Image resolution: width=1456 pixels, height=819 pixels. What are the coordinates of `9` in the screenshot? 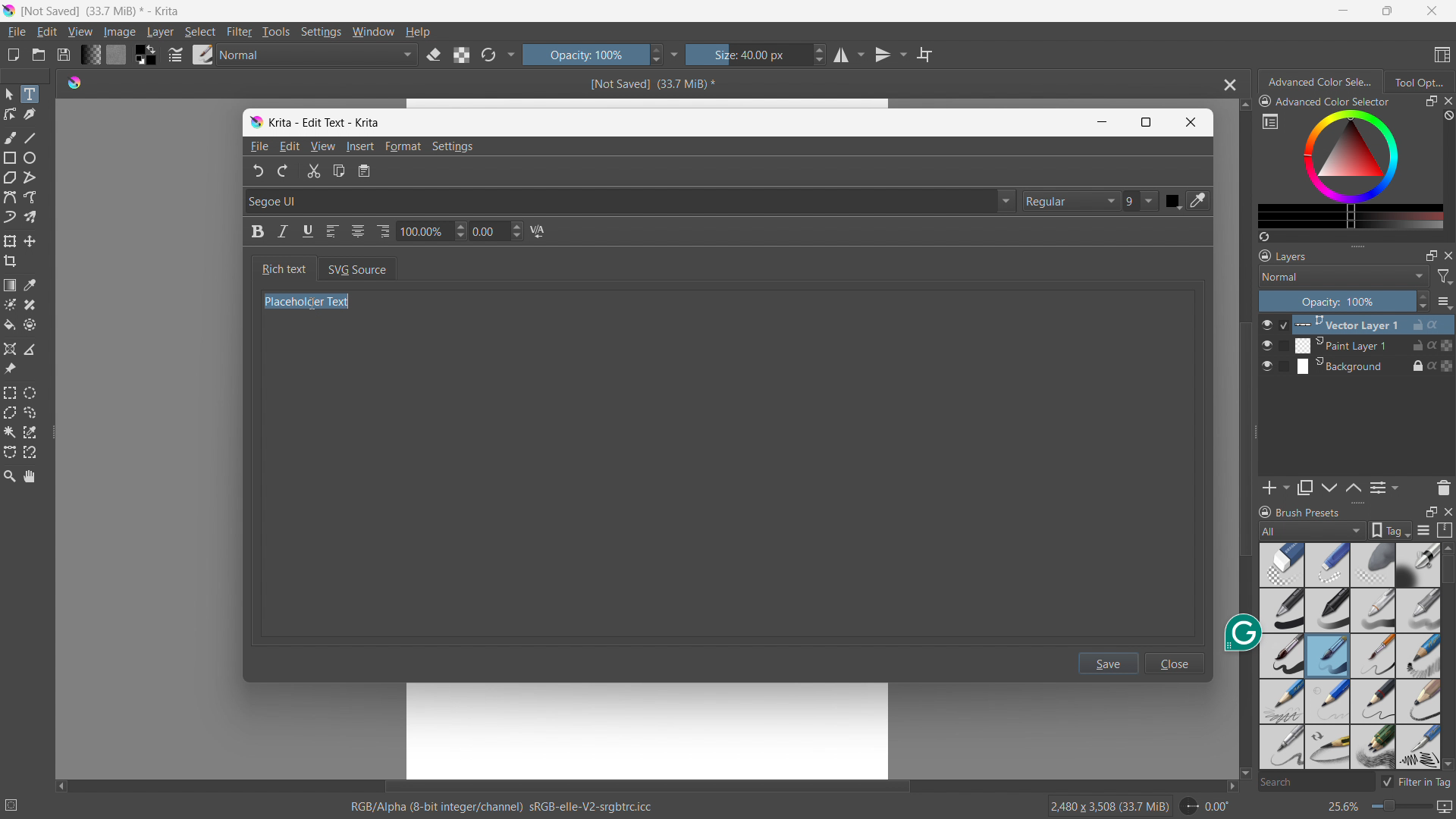 It's located at (1142, 202).